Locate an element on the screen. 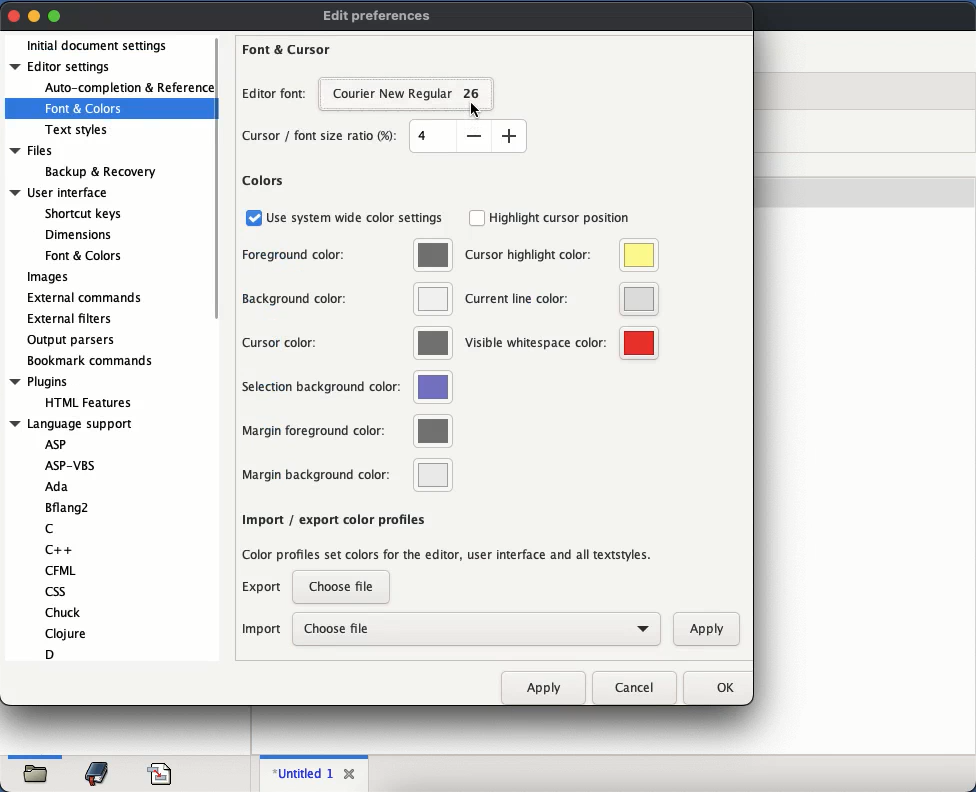 The width and height of the screenshot is (976, 792). font and colors is located at coordinates (85, 106).